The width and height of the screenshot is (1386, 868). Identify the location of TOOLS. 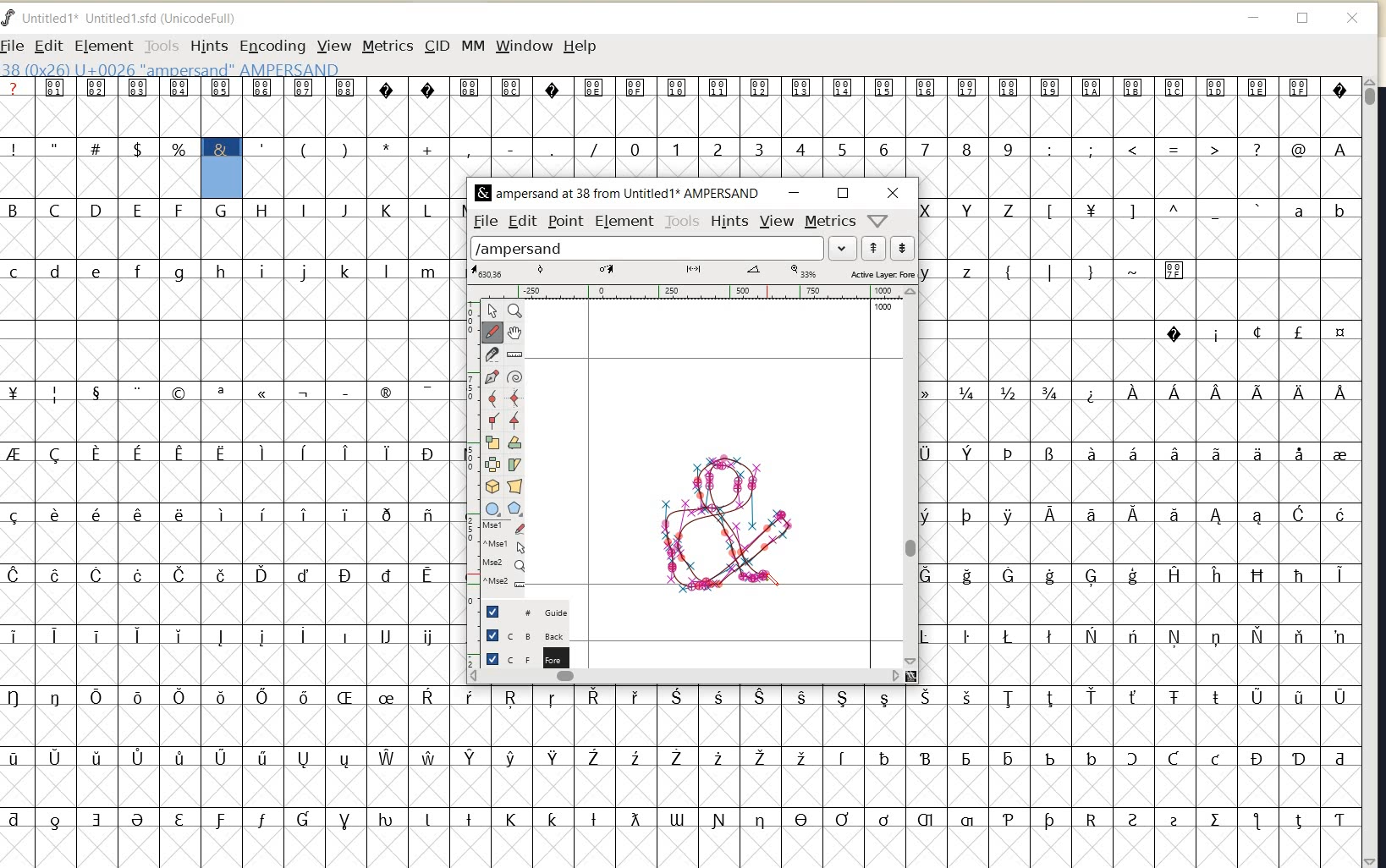
(160, 47).